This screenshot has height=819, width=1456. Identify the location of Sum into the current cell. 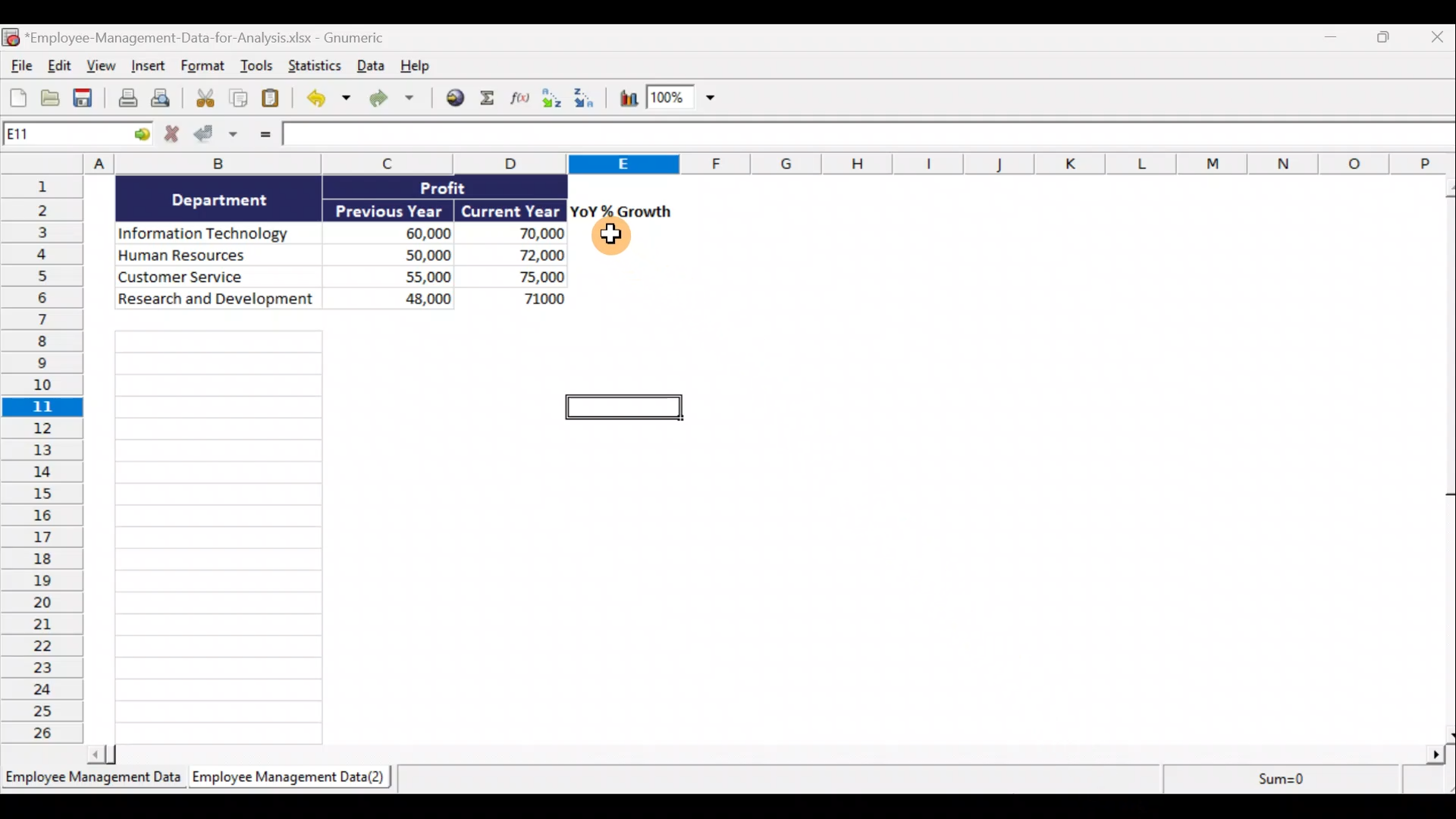
(491, 99).